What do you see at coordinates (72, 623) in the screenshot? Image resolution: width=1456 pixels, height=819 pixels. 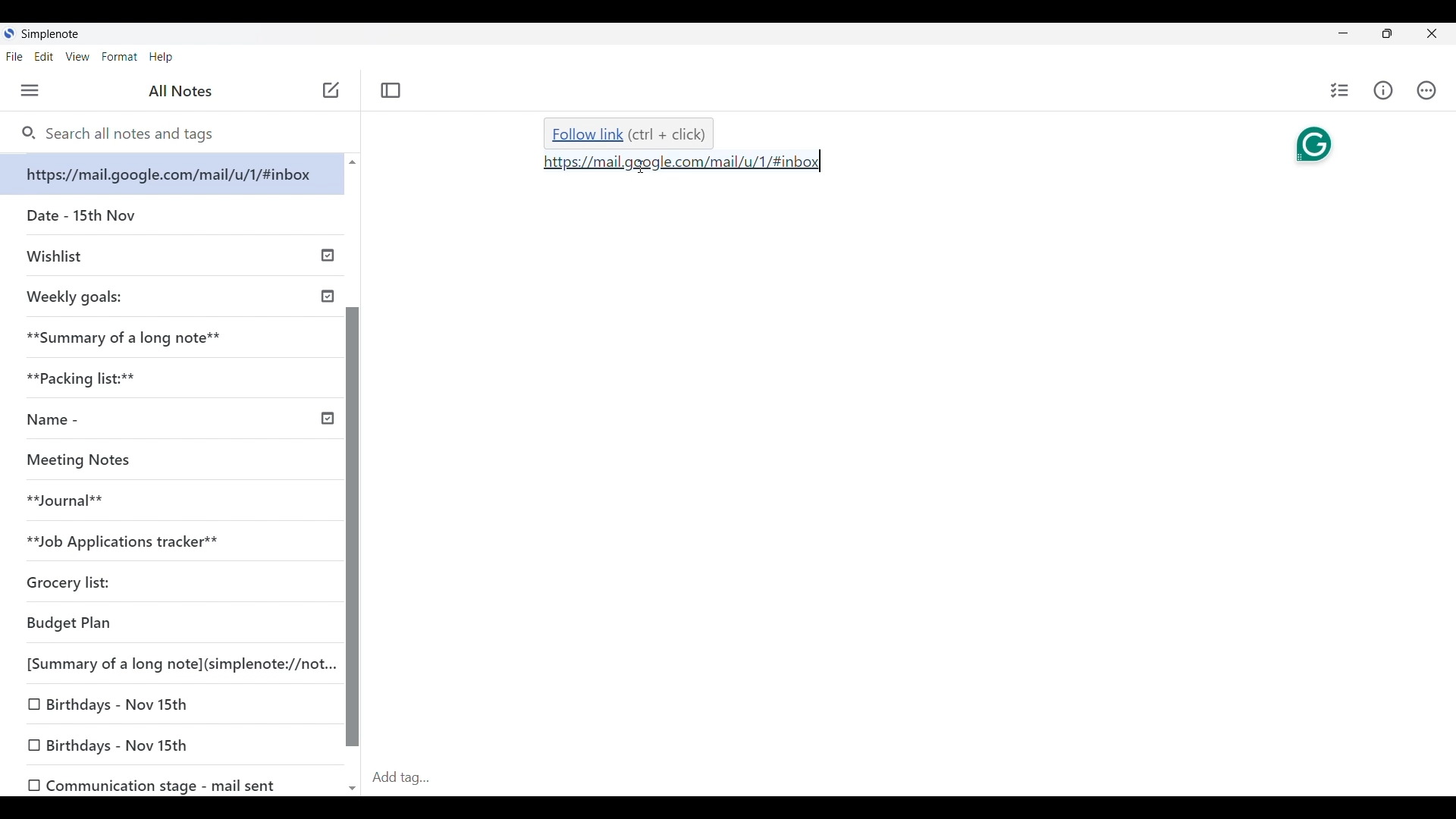 I see `Budget Plan` at bounding box center [72, 623].